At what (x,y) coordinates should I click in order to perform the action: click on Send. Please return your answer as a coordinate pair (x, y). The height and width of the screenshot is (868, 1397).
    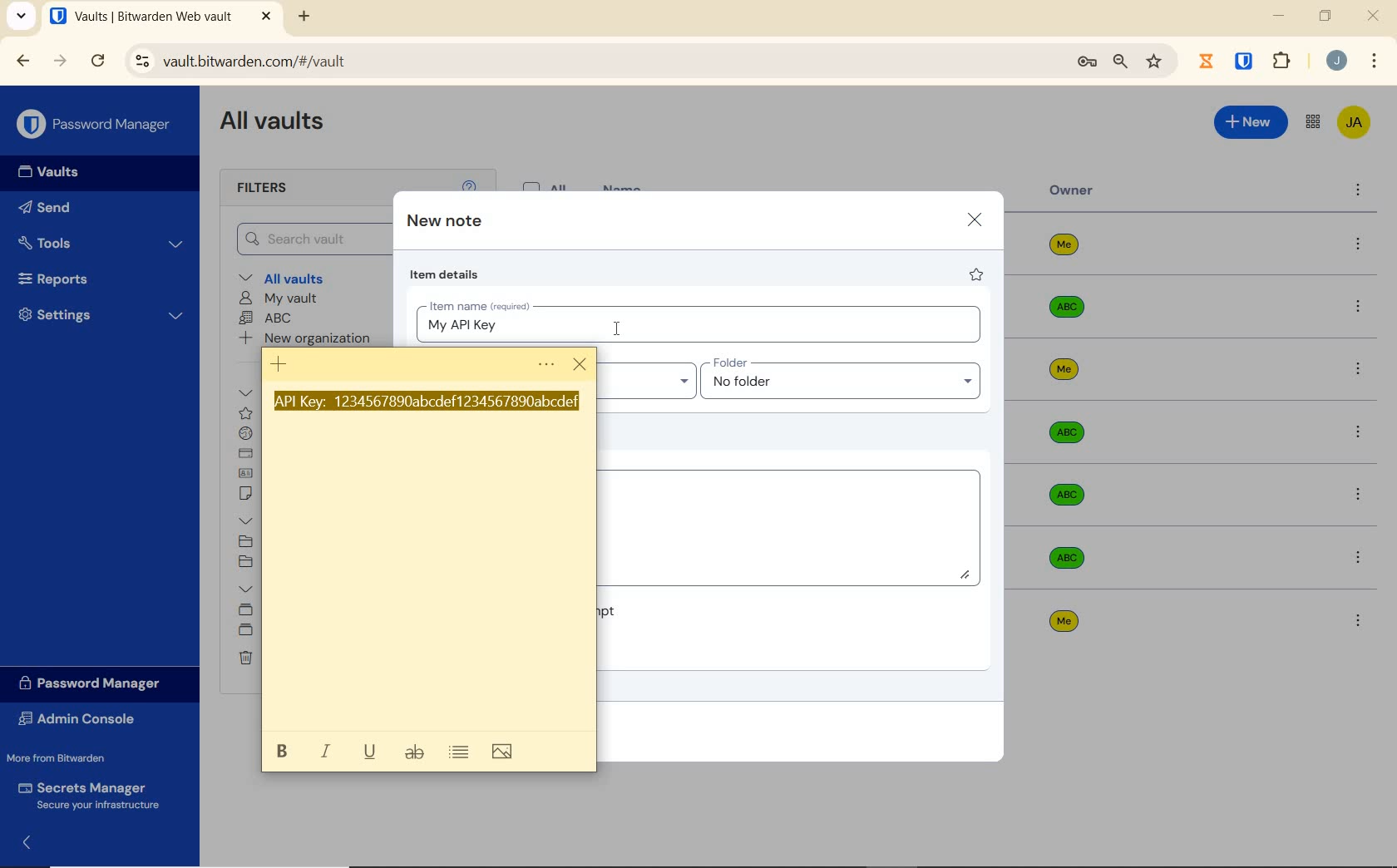
    Looking at the image, I should click on (76, 210).